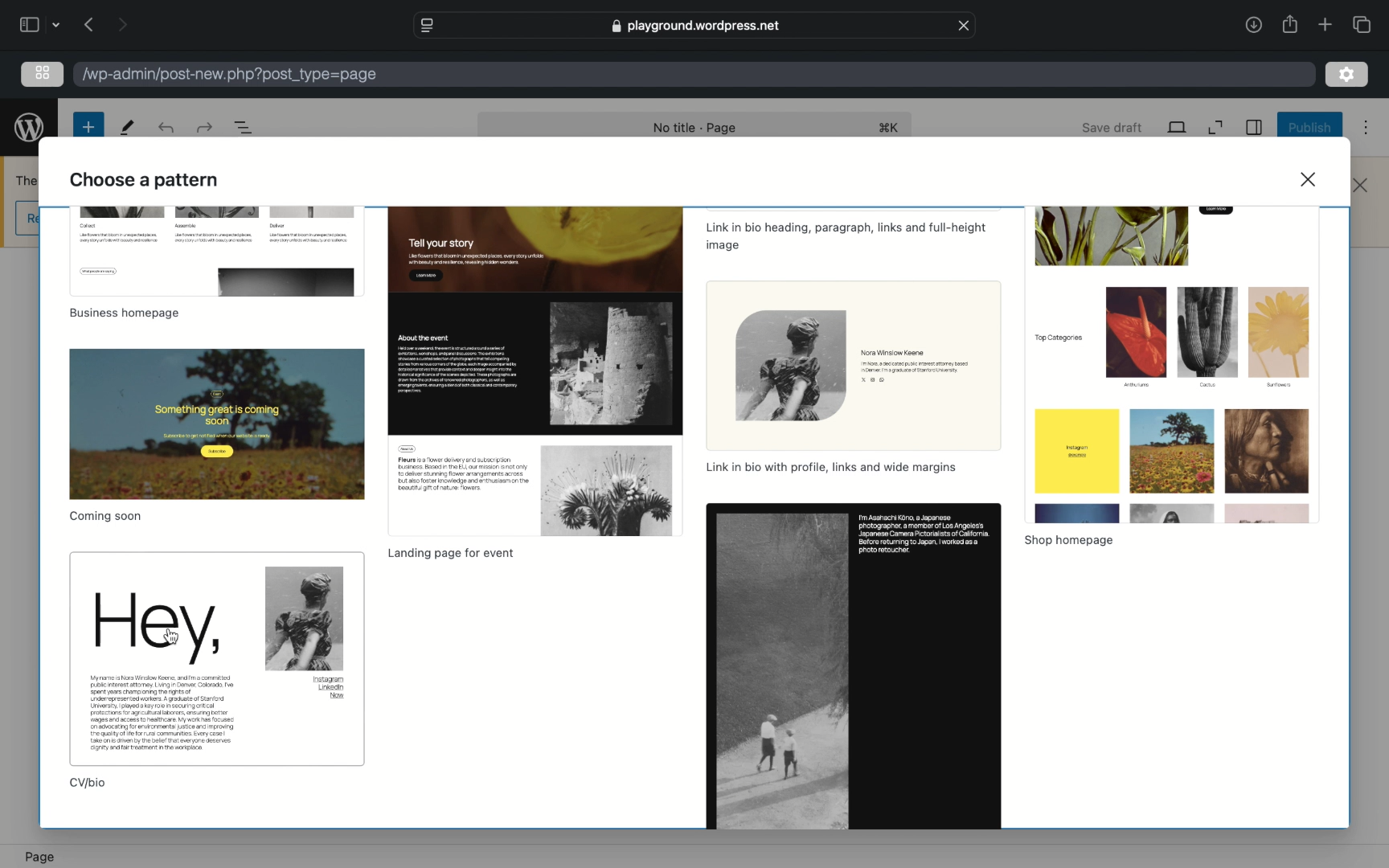 This screenshot has width=1389, height=868. What do you see at coordinates (887, 127) in the screenshot?
I see `shortcut` at bounding box center [887, 127].